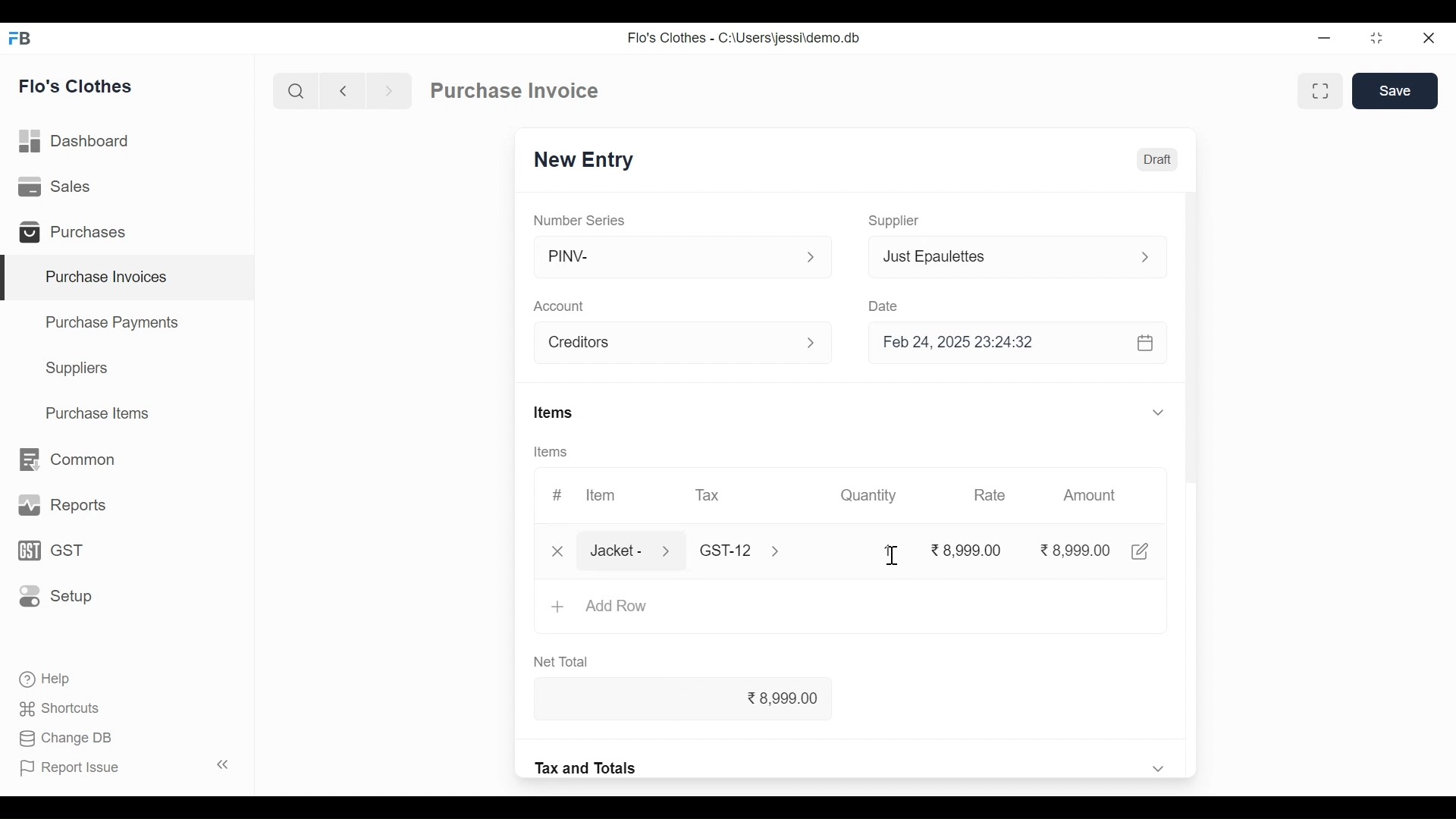 This screenshot has height=819, width=1456. What do you see at coordinates (1376, 39) in the screenshot?
I see `Restore` at bounding box center [1376, 39].